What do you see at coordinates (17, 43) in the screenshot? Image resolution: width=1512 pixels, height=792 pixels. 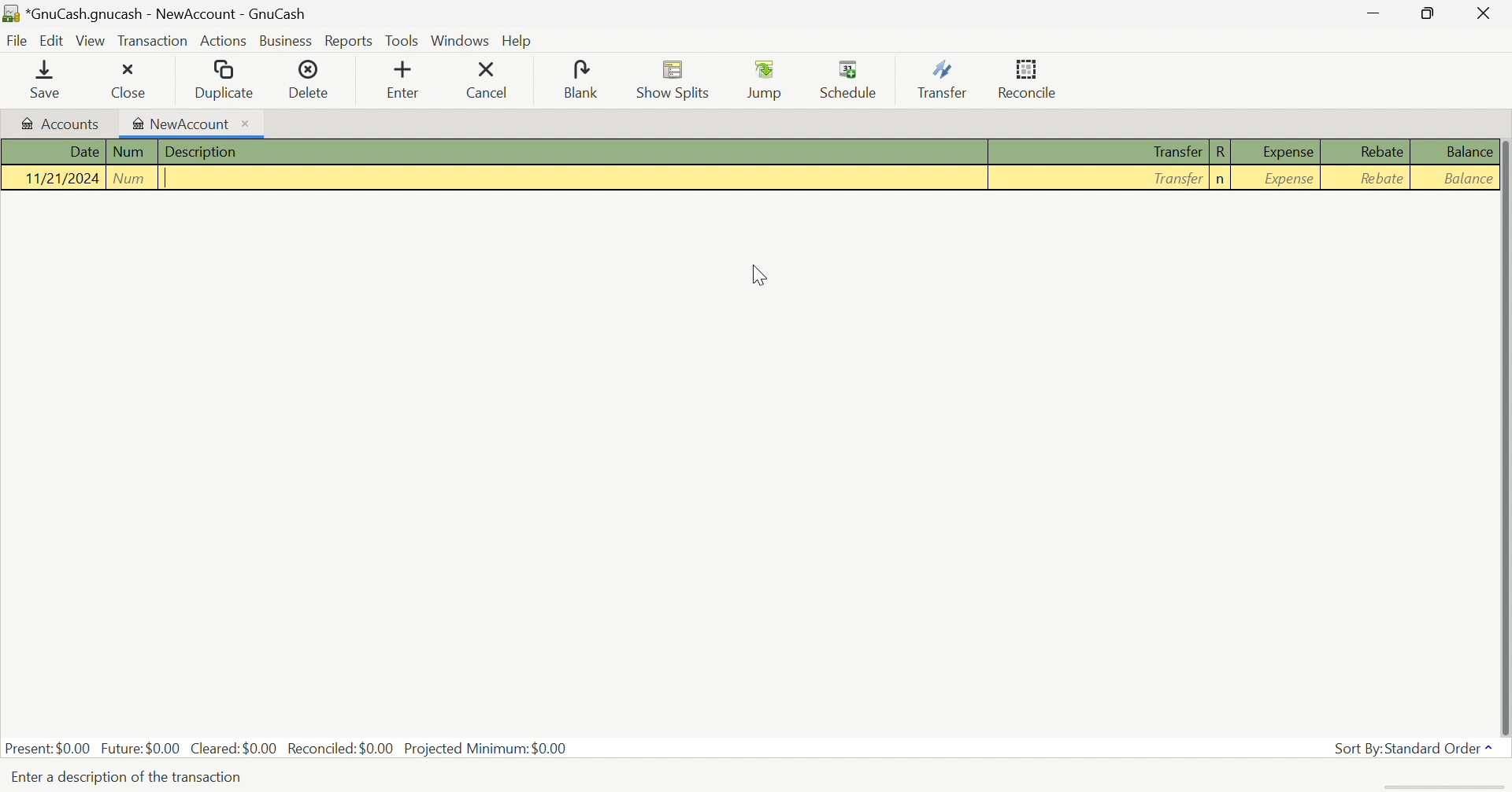 I see `File` at bounding box center [17, 43].